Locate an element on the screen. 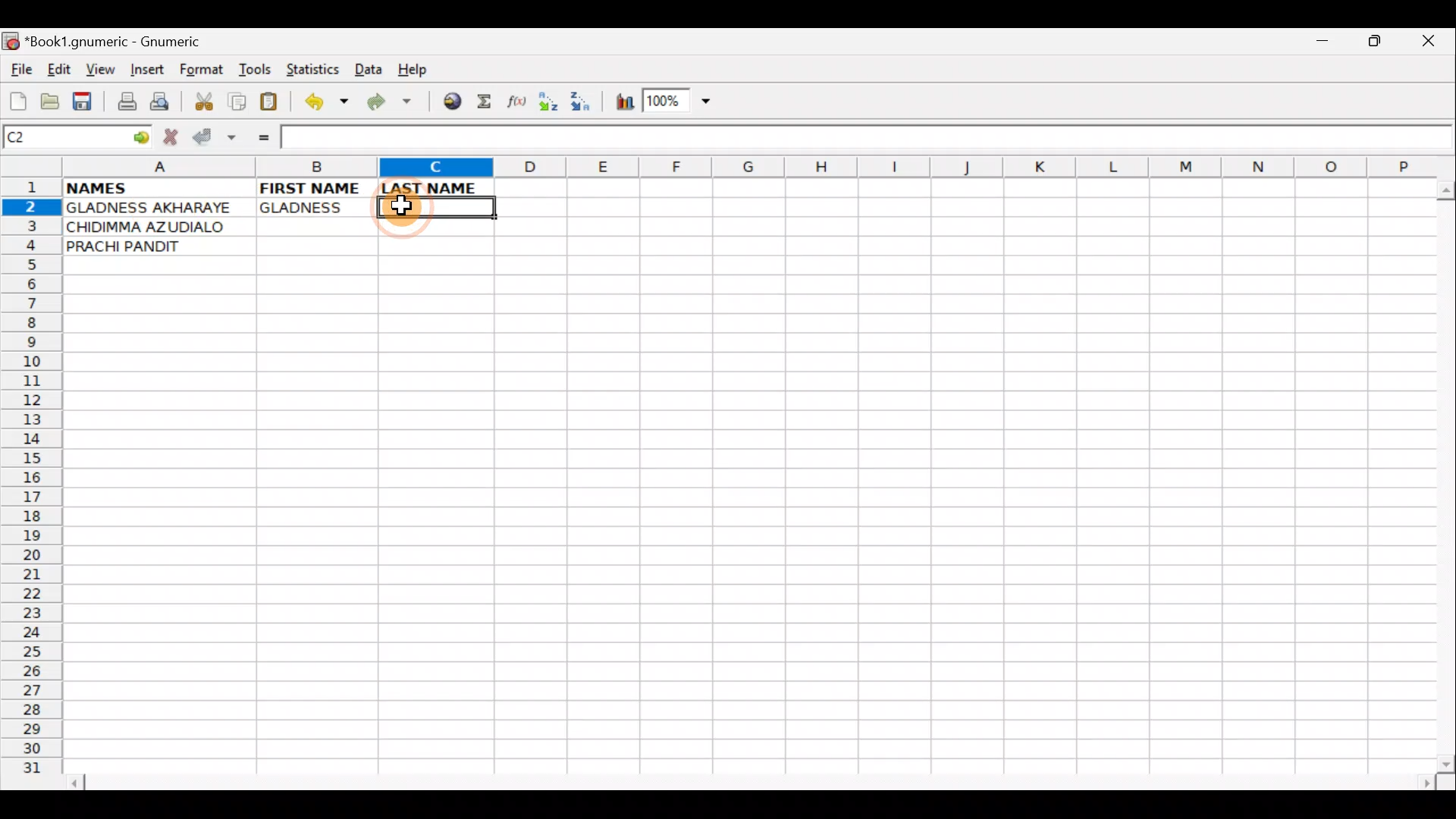 The height and width of the screenshot is (819, 1456). Rows is located at coordinates (32, 482).